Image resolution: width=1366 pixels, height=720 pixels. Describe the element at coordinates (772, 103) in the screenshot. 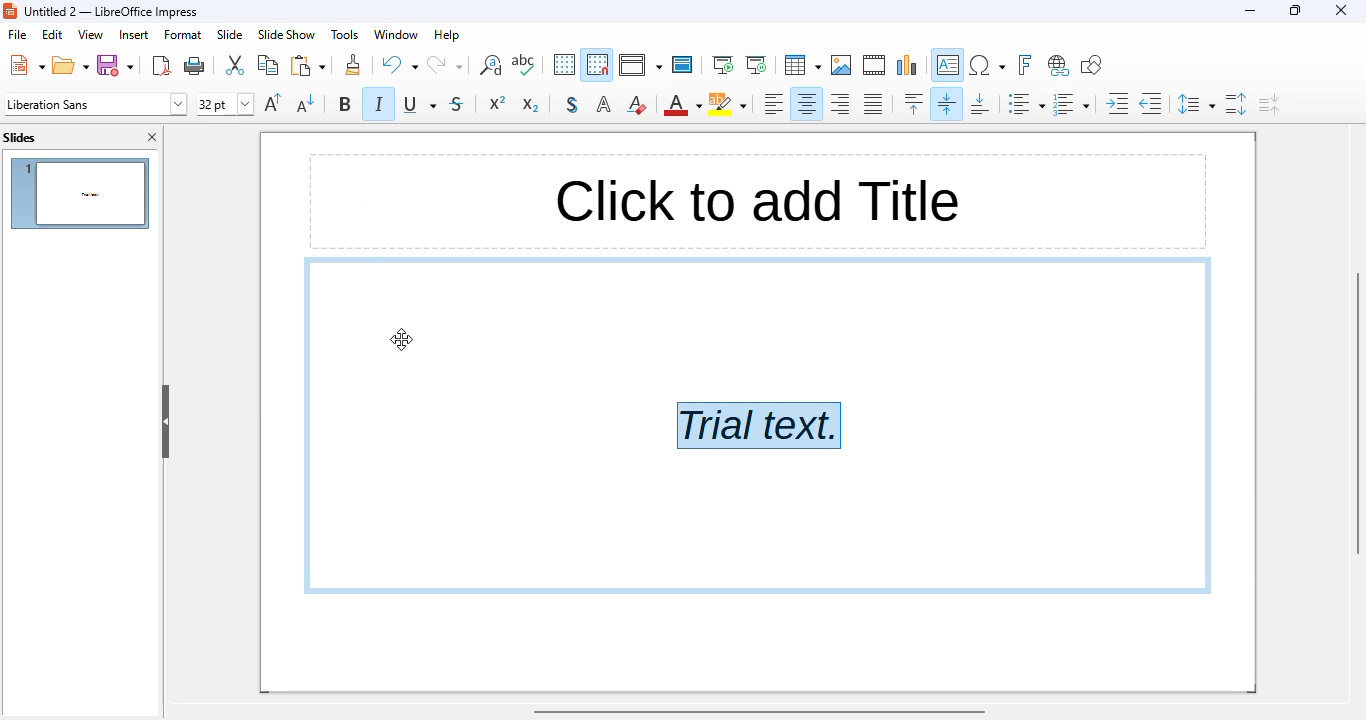

I see `align left` at that location.